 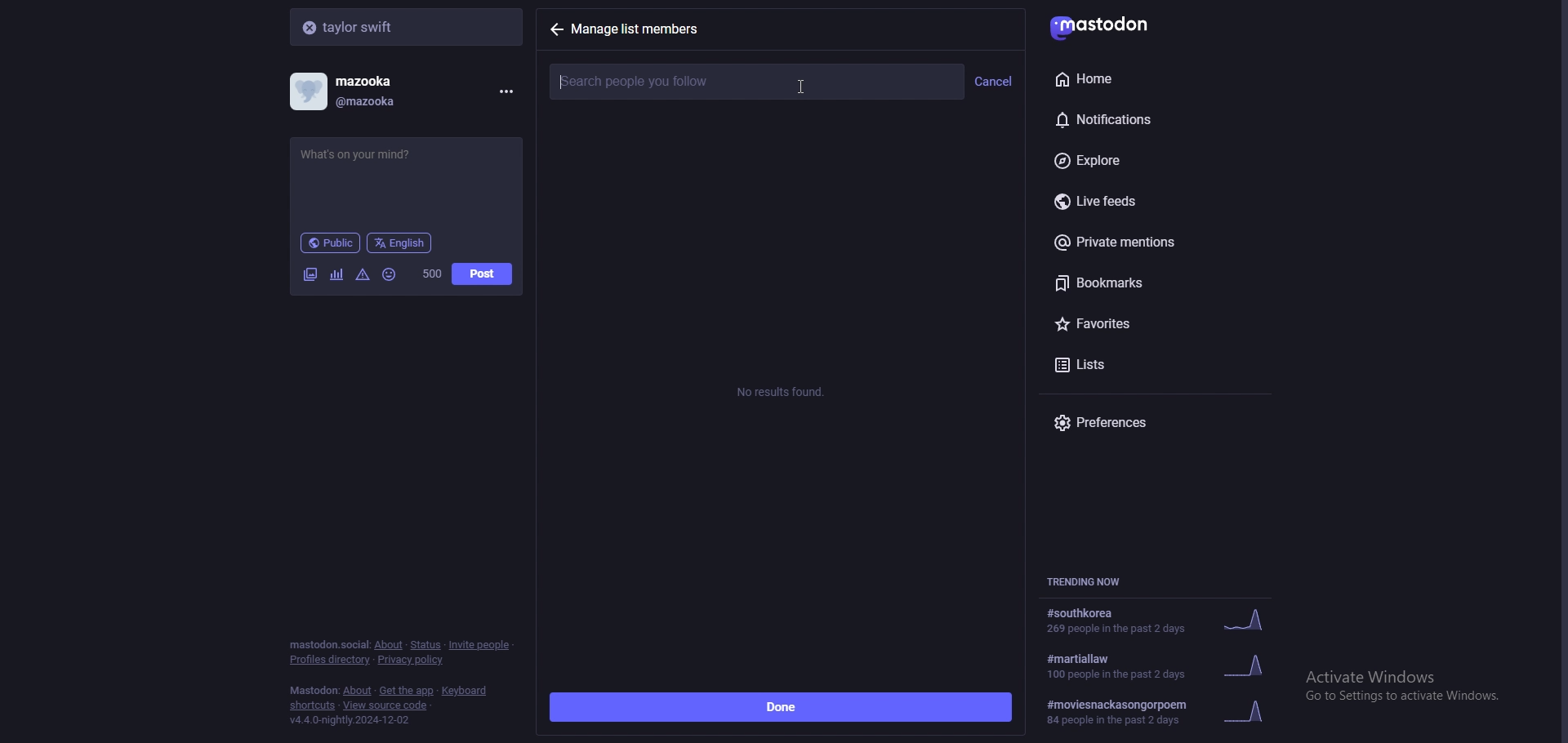 What do you see at coordinates (336, 274) in the screenshot?
I see `poll` at bounding box center [336, 274].